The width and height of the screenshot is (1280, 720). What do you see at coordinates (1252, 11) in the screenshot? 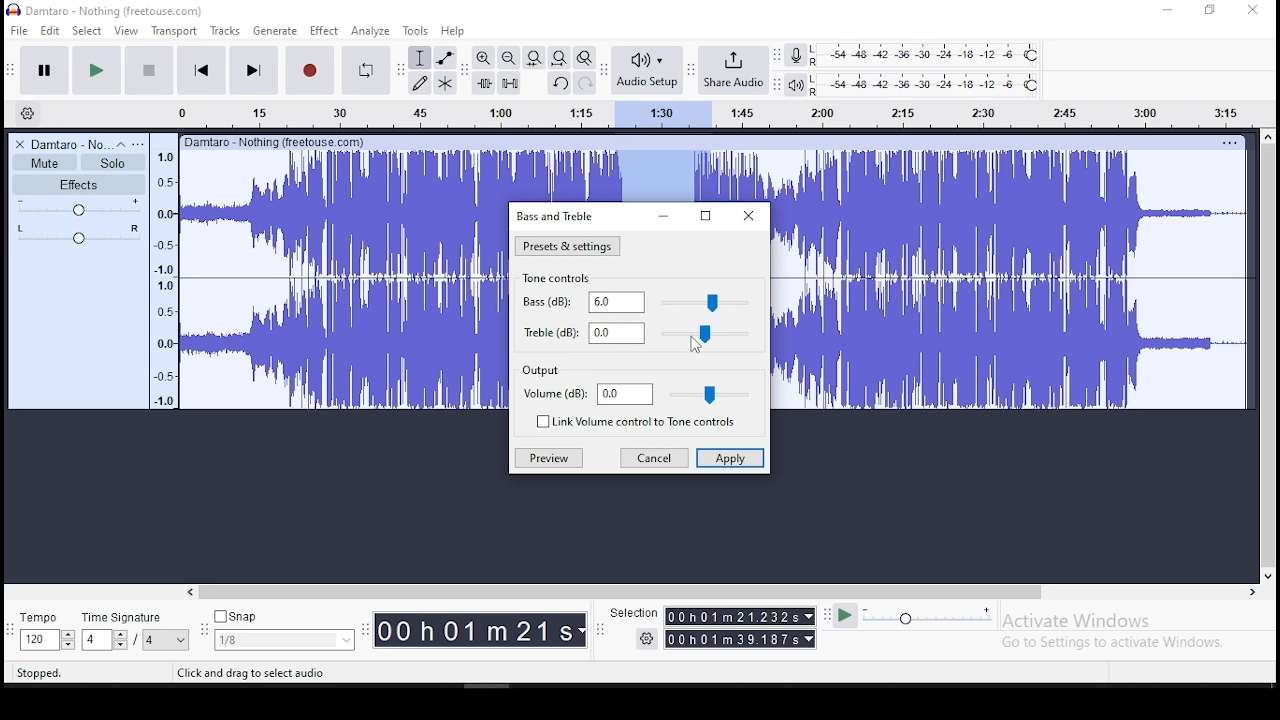
I see `close` at bounding box center [1252, 11].